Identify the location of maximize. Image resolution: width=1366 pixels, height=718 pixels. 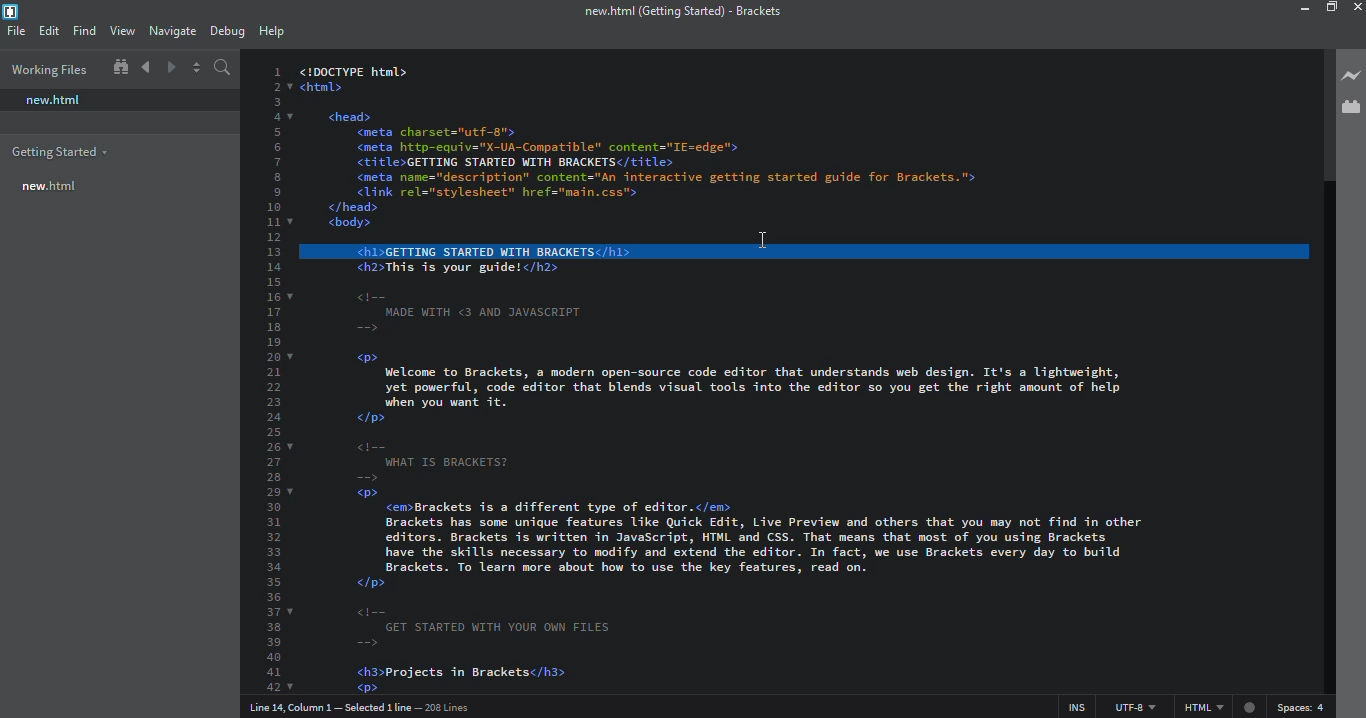
(1331, 8).